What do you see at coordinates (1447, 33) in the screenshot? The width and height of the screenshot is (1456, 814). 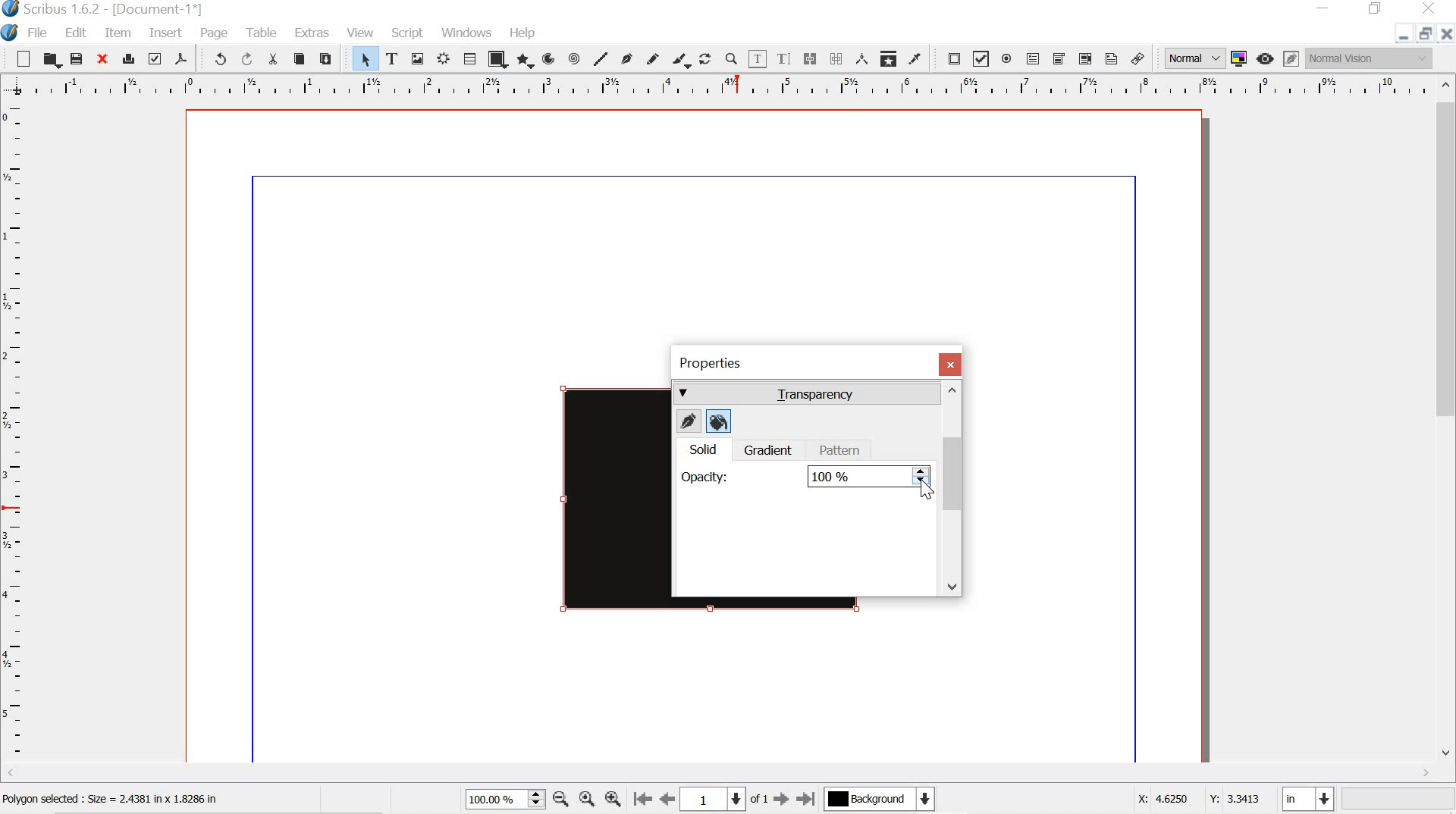 I see `close doc` at bounding box center [1447, 33].